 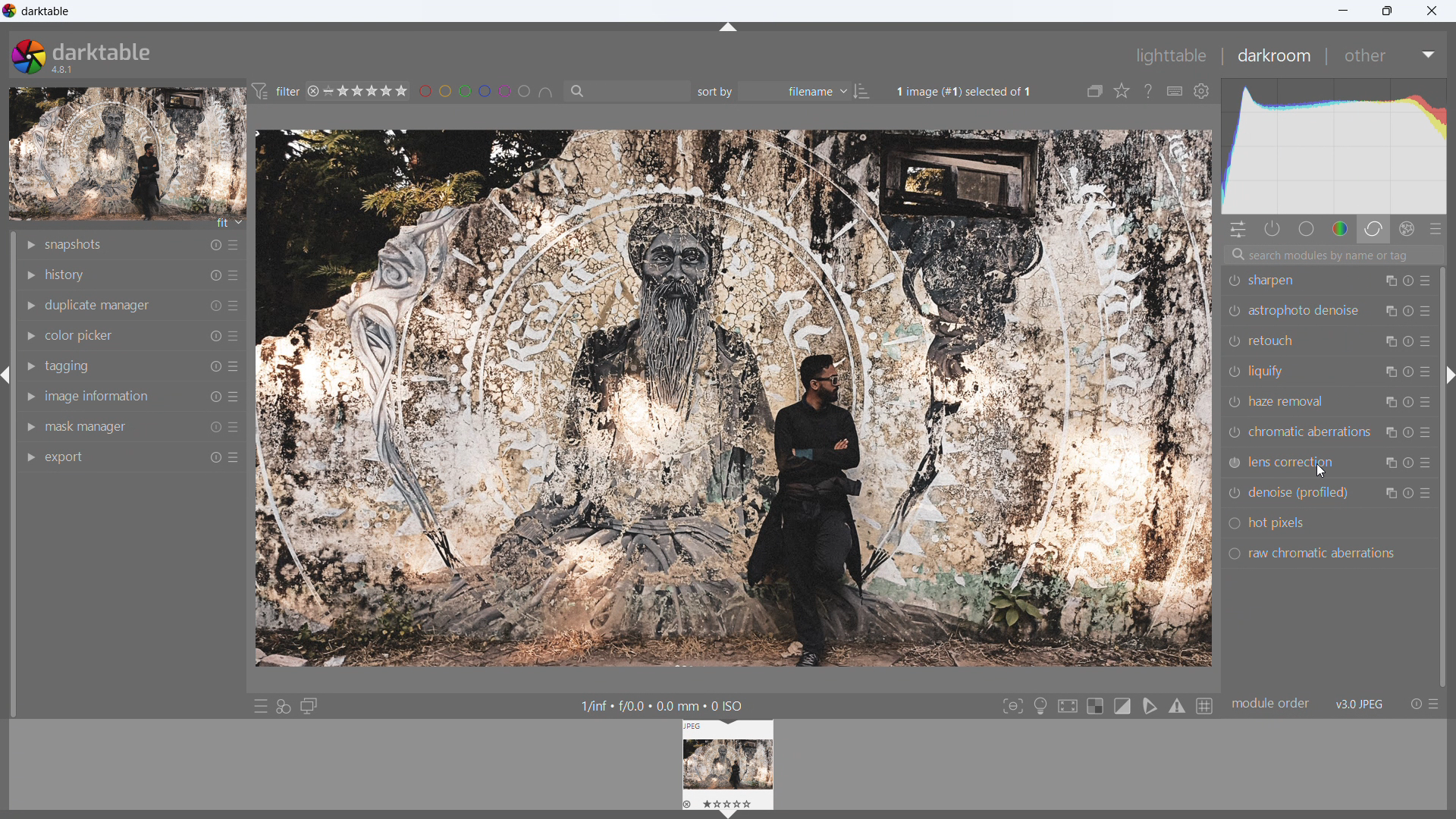 I want to click on more options, so click(x=235, y=428).